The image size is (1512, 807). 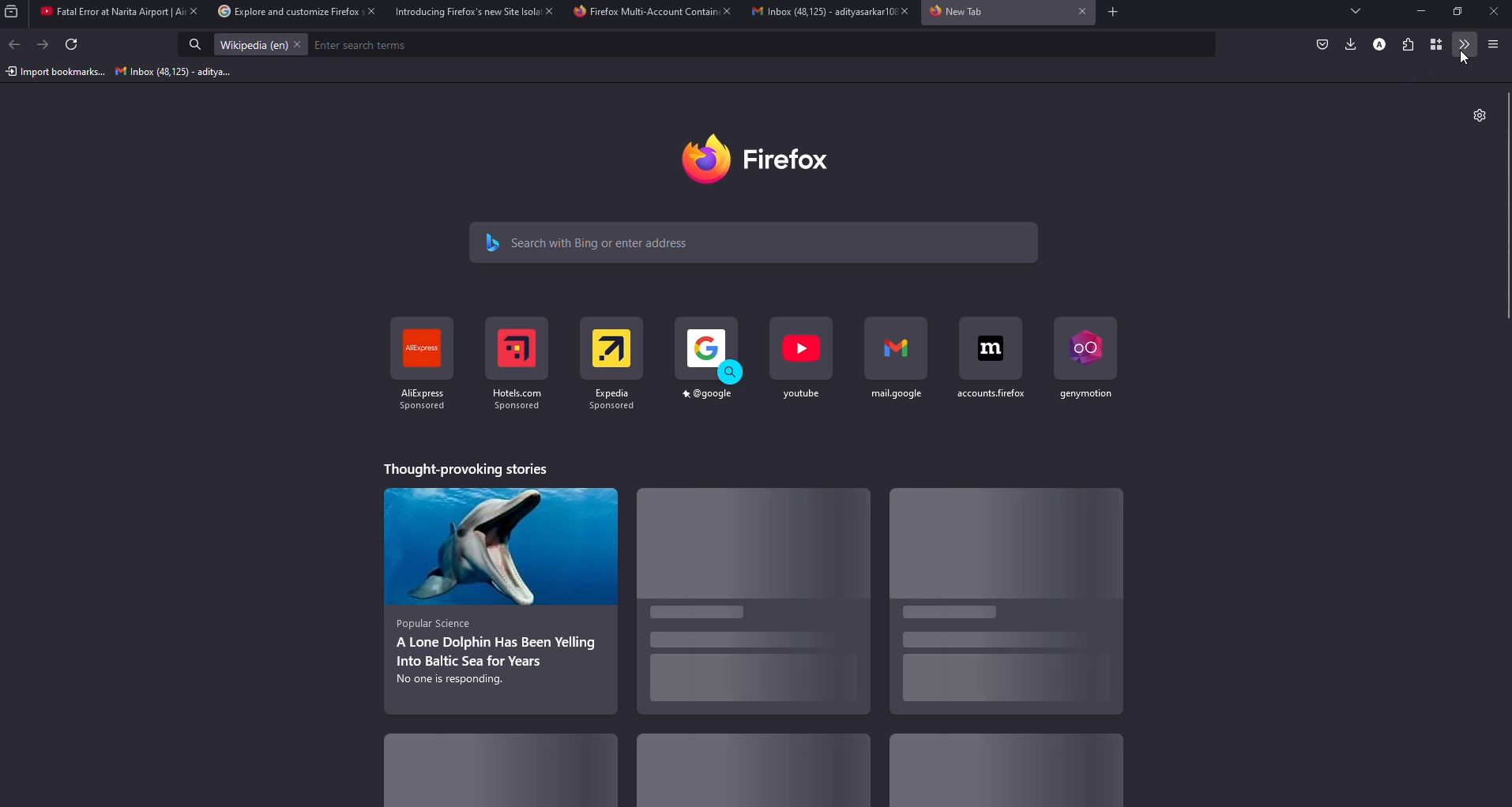 What do you see at coordinates (1409, 44) in the screenshot?
I see `extension` at bounding box center [1409, 44].